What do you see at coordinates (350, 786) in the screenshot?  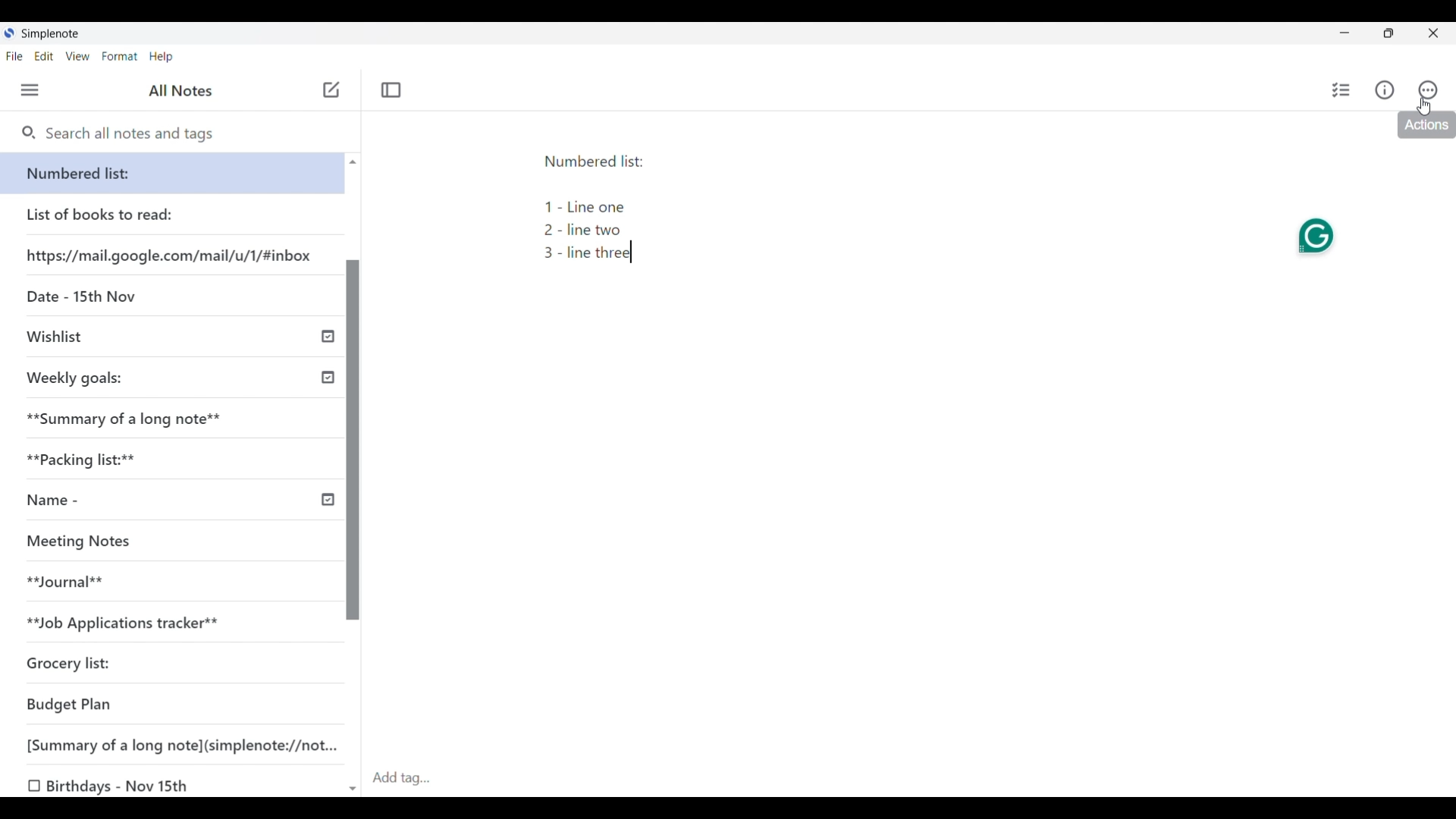 I see `scroll down` at bounding box center [350, 786].